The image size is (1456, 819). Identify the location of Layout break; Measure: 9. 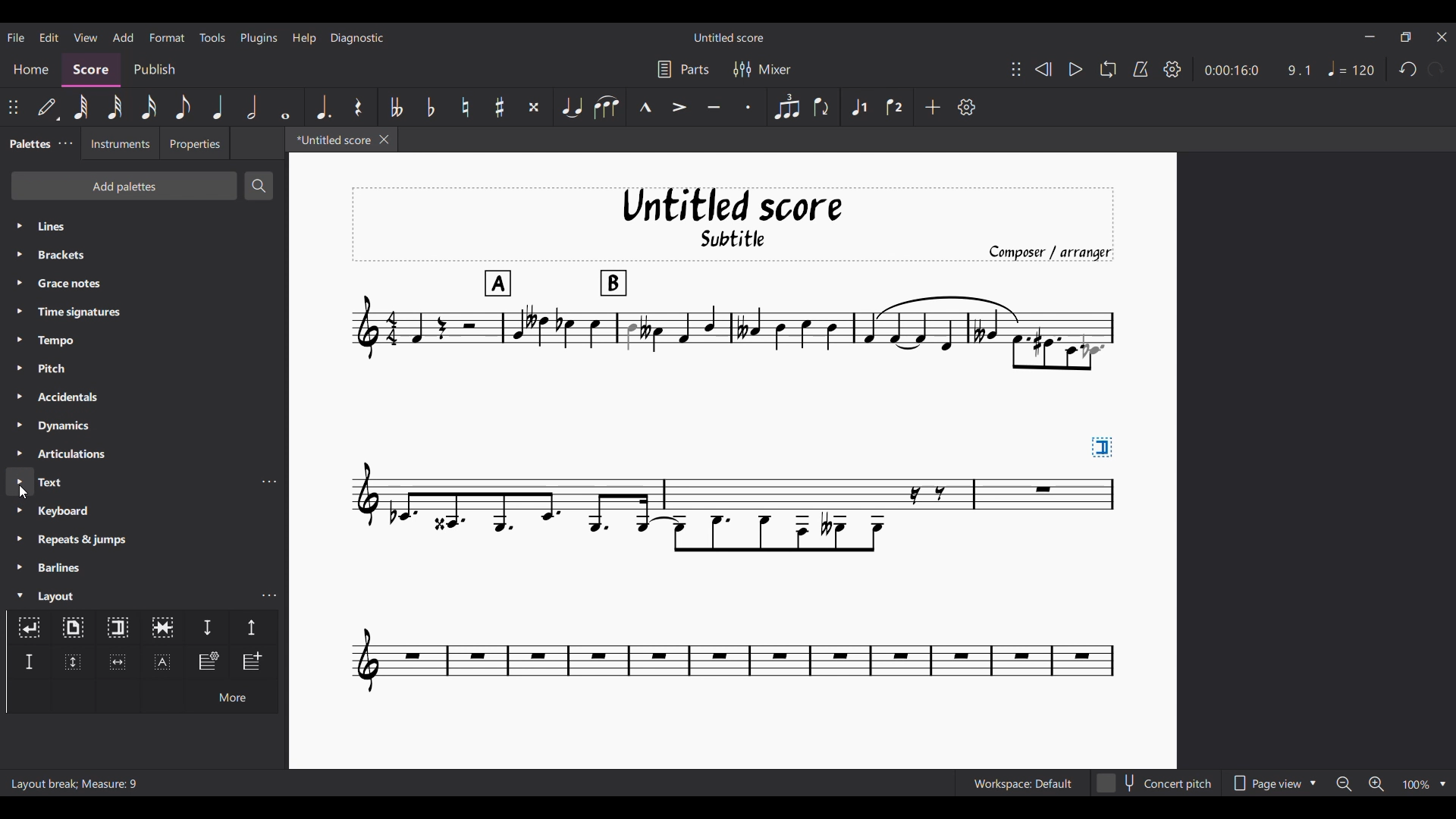
(79, 783).